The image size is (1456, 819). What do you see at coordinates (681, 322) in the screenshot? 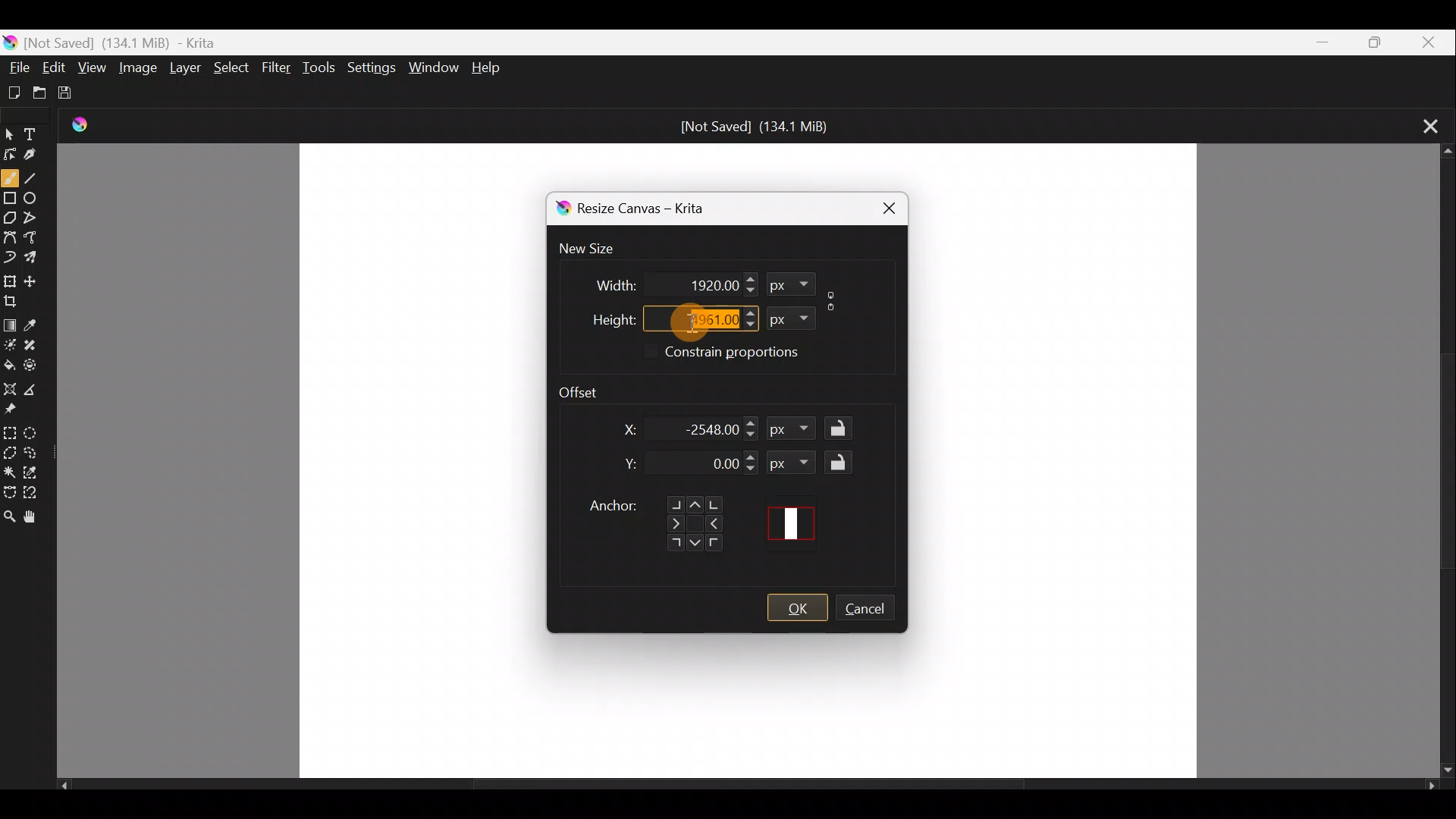
I see `Cursor on height` at bounding box center [681, 322].